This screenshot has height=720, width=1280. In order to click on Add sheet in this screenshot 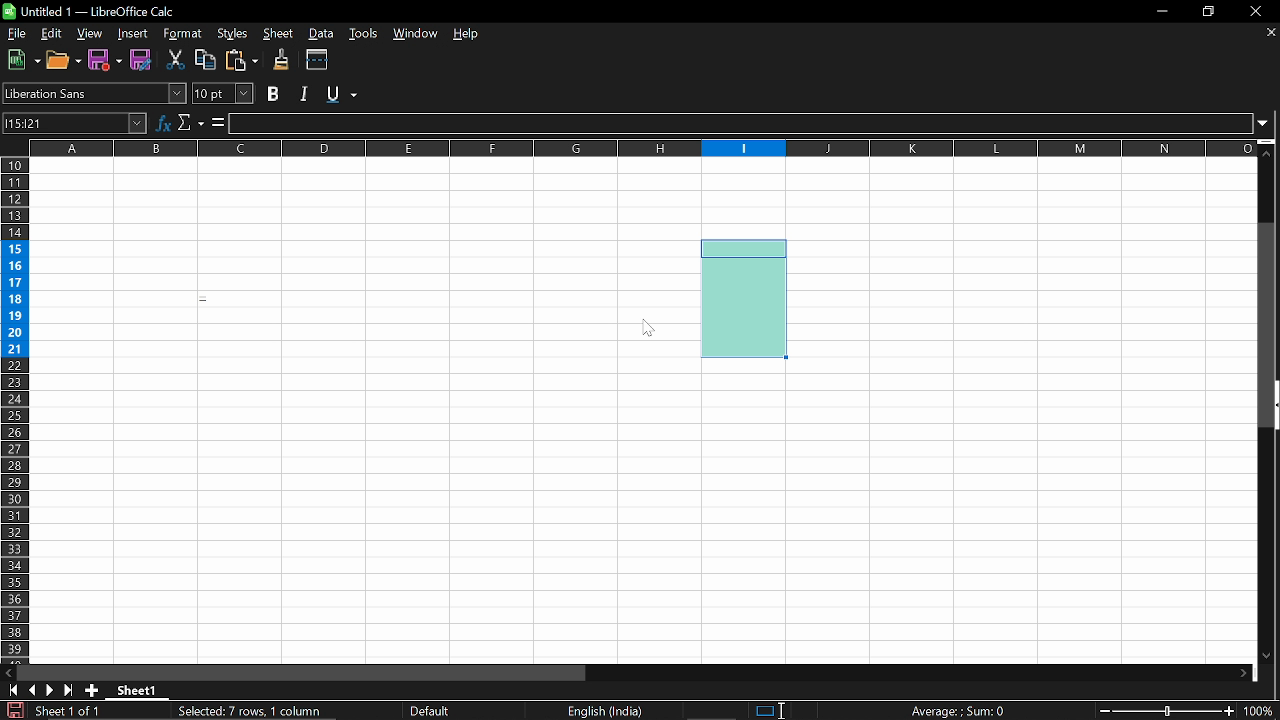, I will do `click(93, 691)`.